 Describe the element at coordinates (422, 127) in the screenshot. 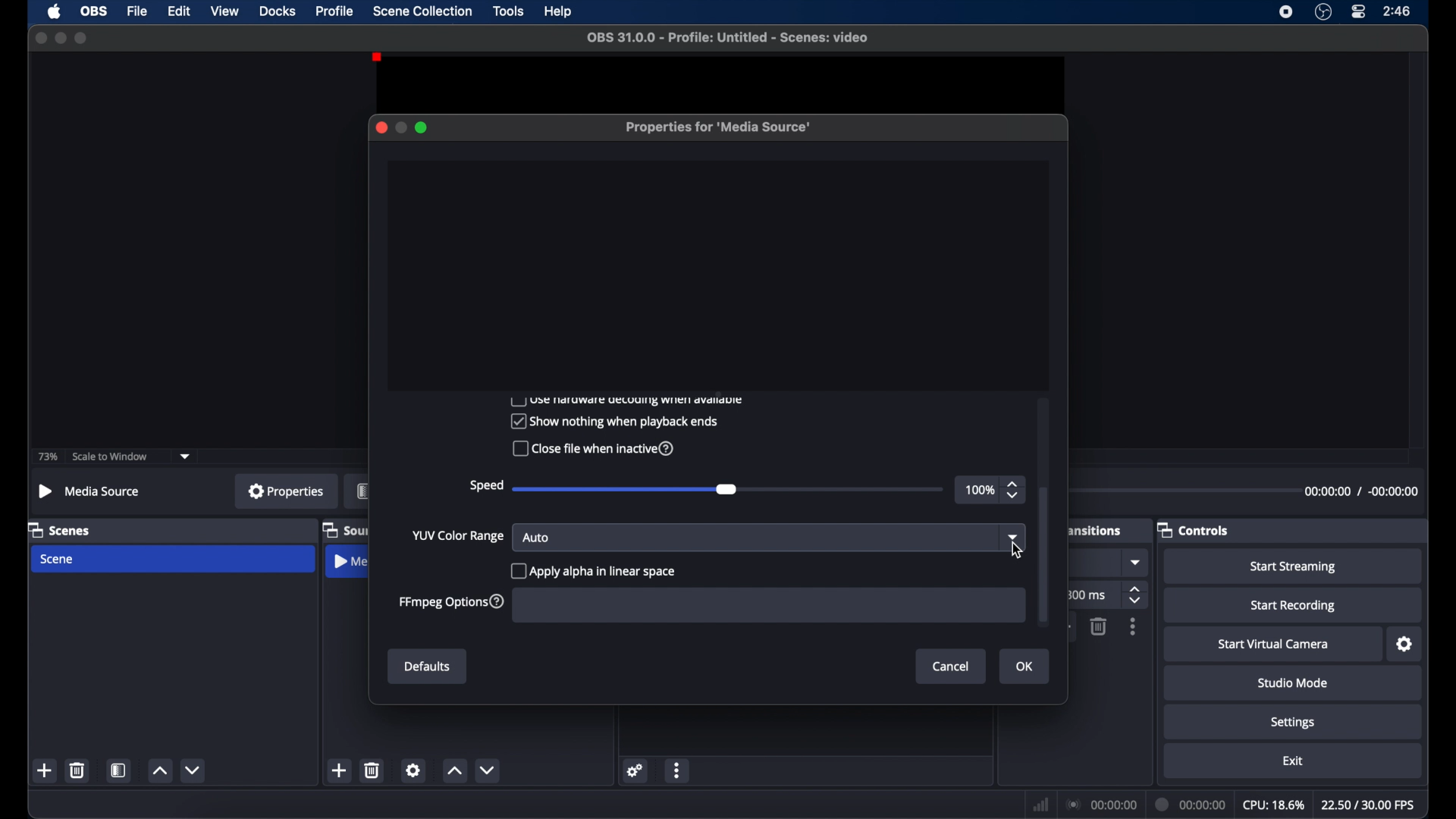

I see `maximize` at that location.